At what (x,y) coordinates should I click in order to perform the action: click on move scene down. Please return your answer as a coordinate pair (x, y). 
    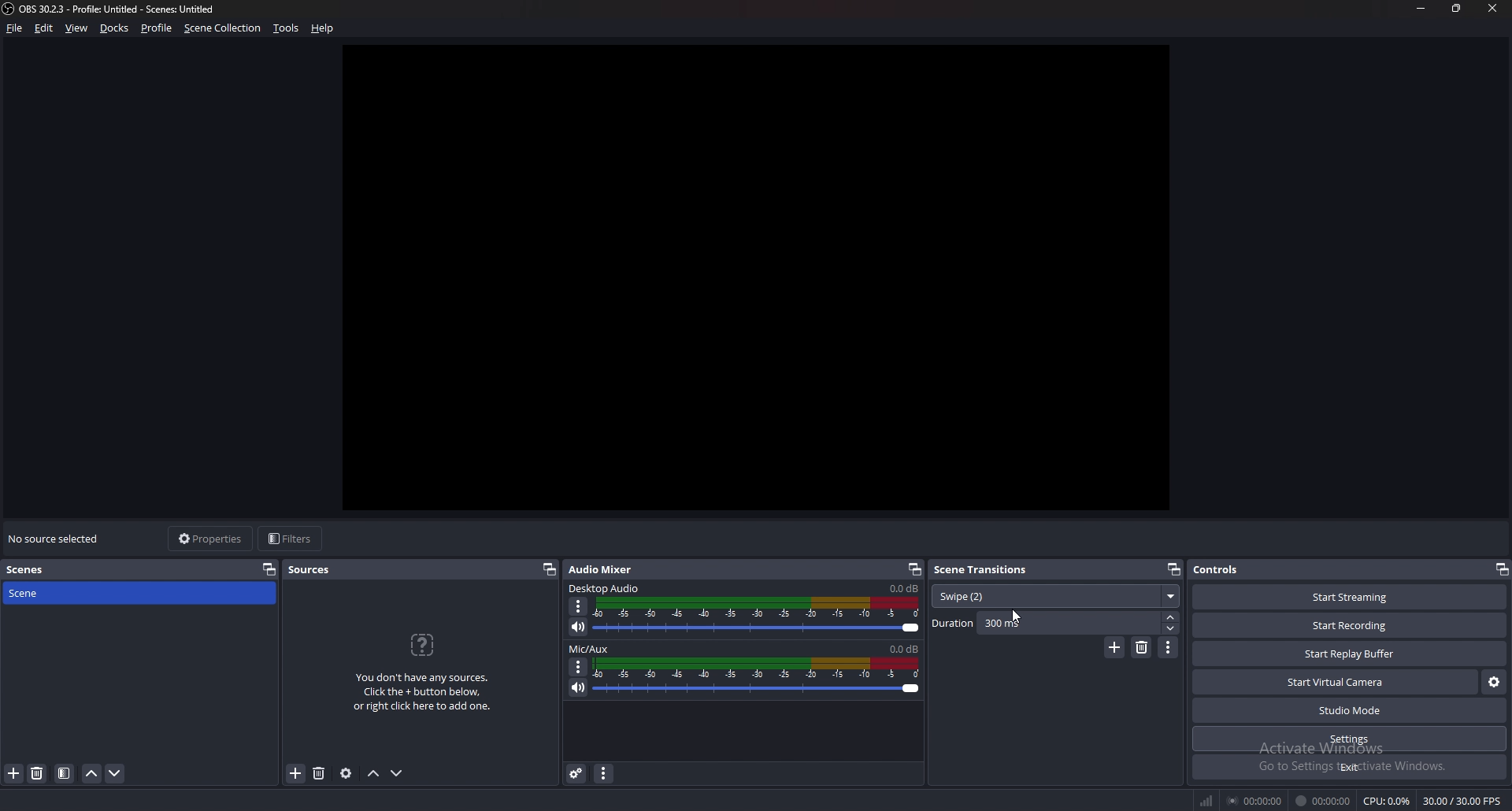
    Looking at the image, I should click on (116, 773).